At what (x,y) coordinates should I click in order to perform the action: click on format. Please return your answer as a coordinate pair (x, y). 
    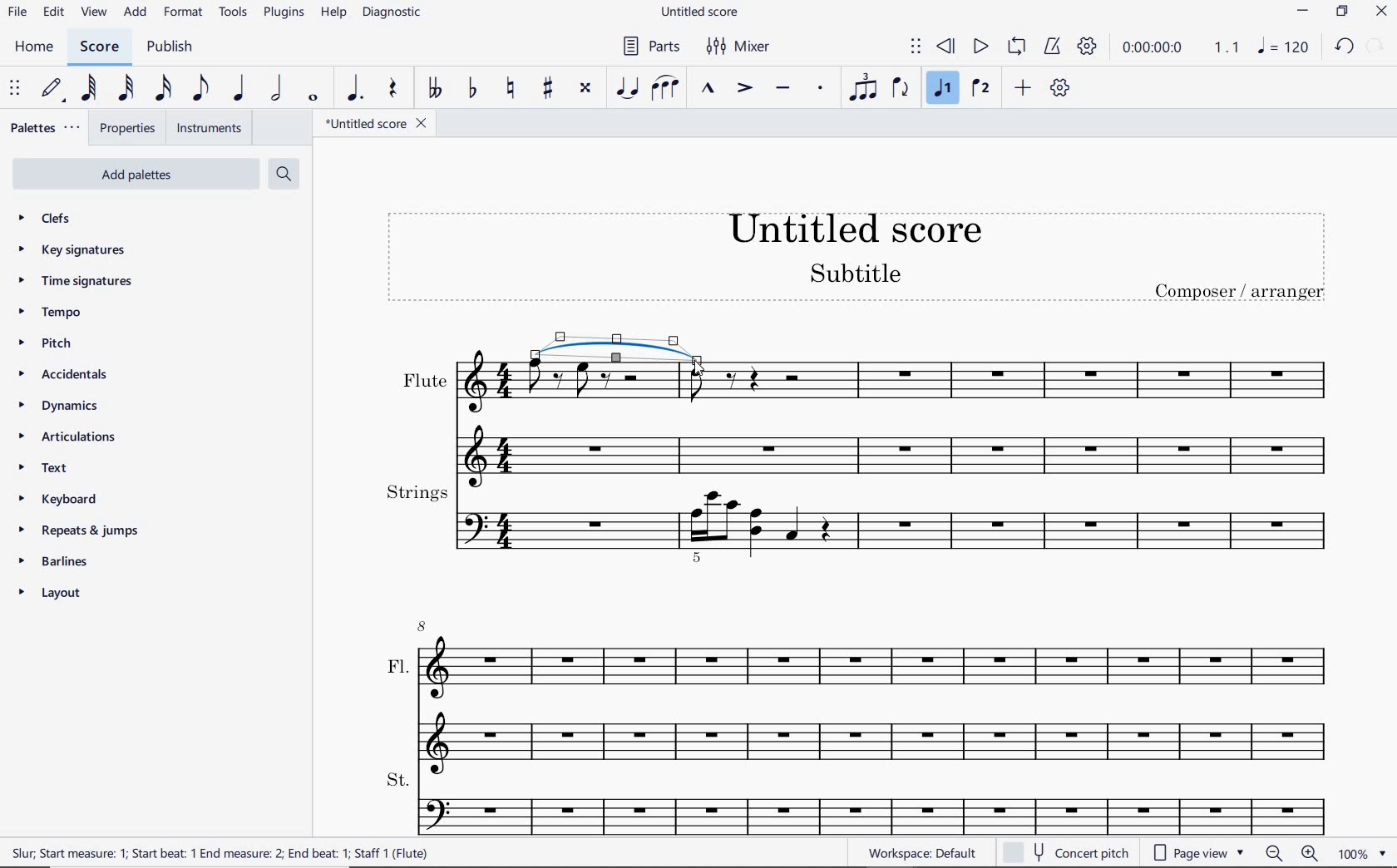
    Looking at the image, I should click on (181, 13).